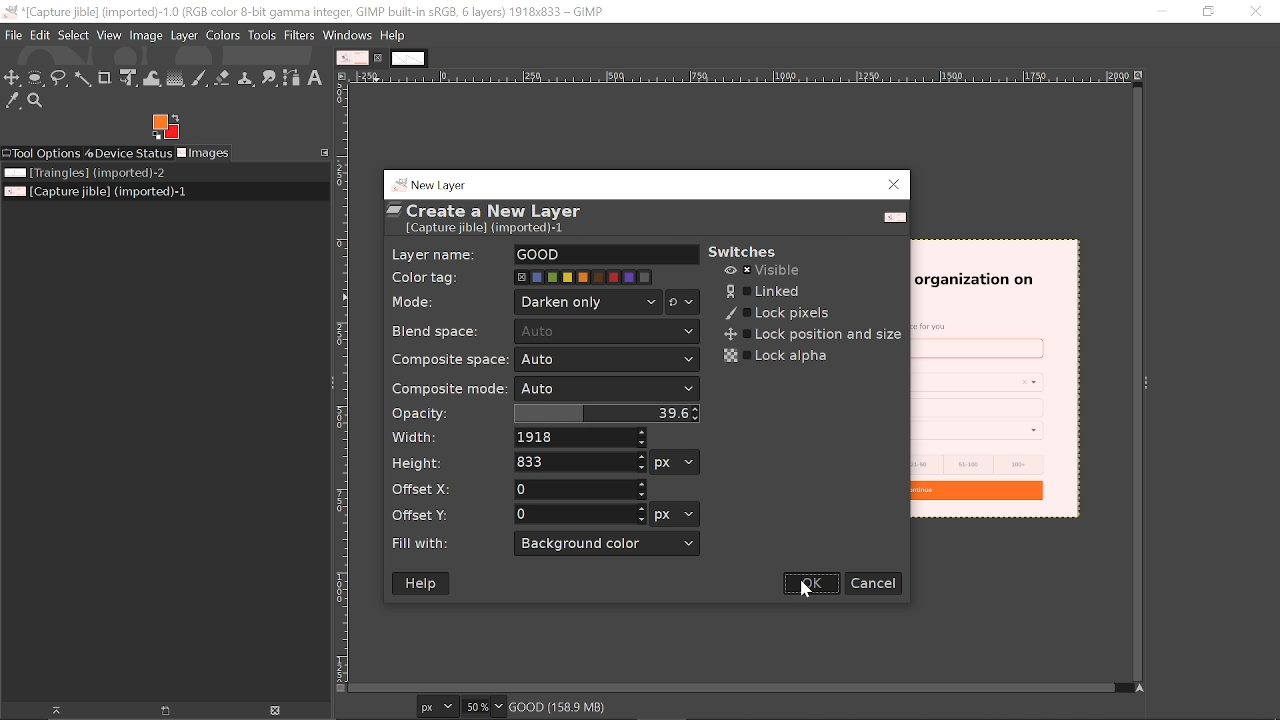 This screenshot has width=1280, height=720. I want to click on Offset units, so click(673, 514).